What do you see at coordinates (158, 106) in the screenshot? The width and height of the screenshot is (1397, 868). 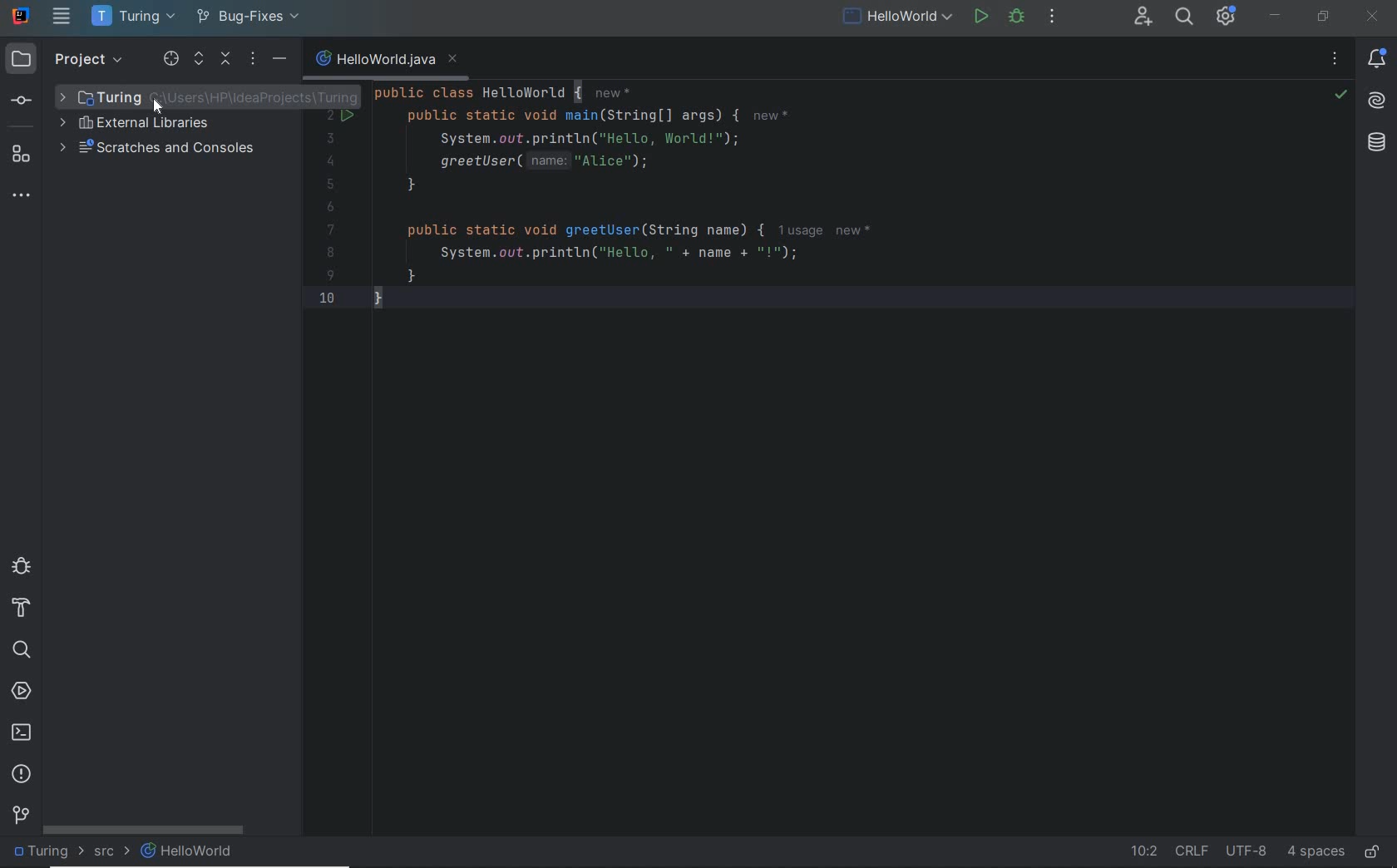 I see `cursor` at bounding box center [158, 106].